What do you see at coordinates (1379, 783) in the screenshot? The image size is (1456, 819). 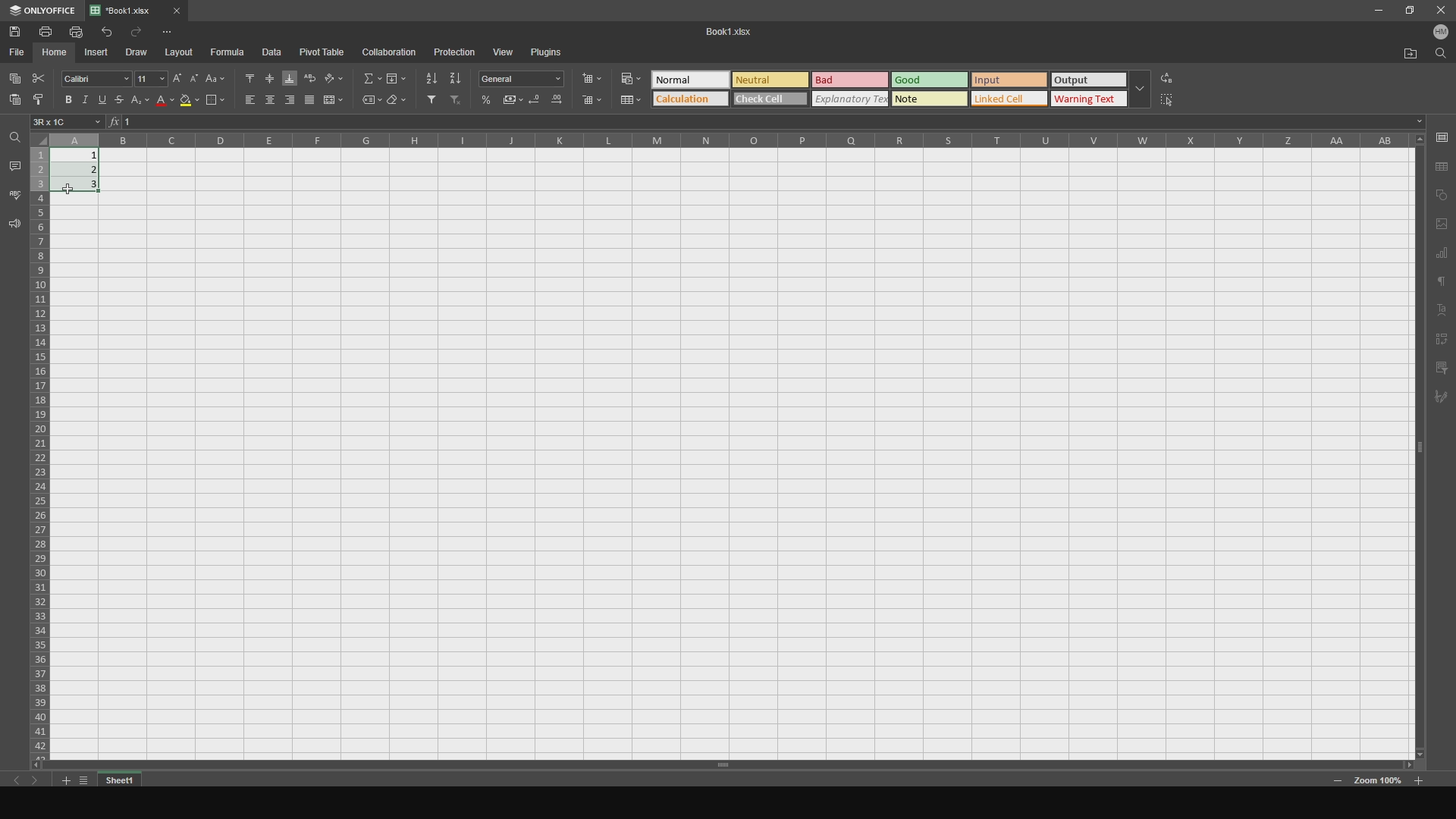 I see `zoom` at bounding box center [1379, 783].